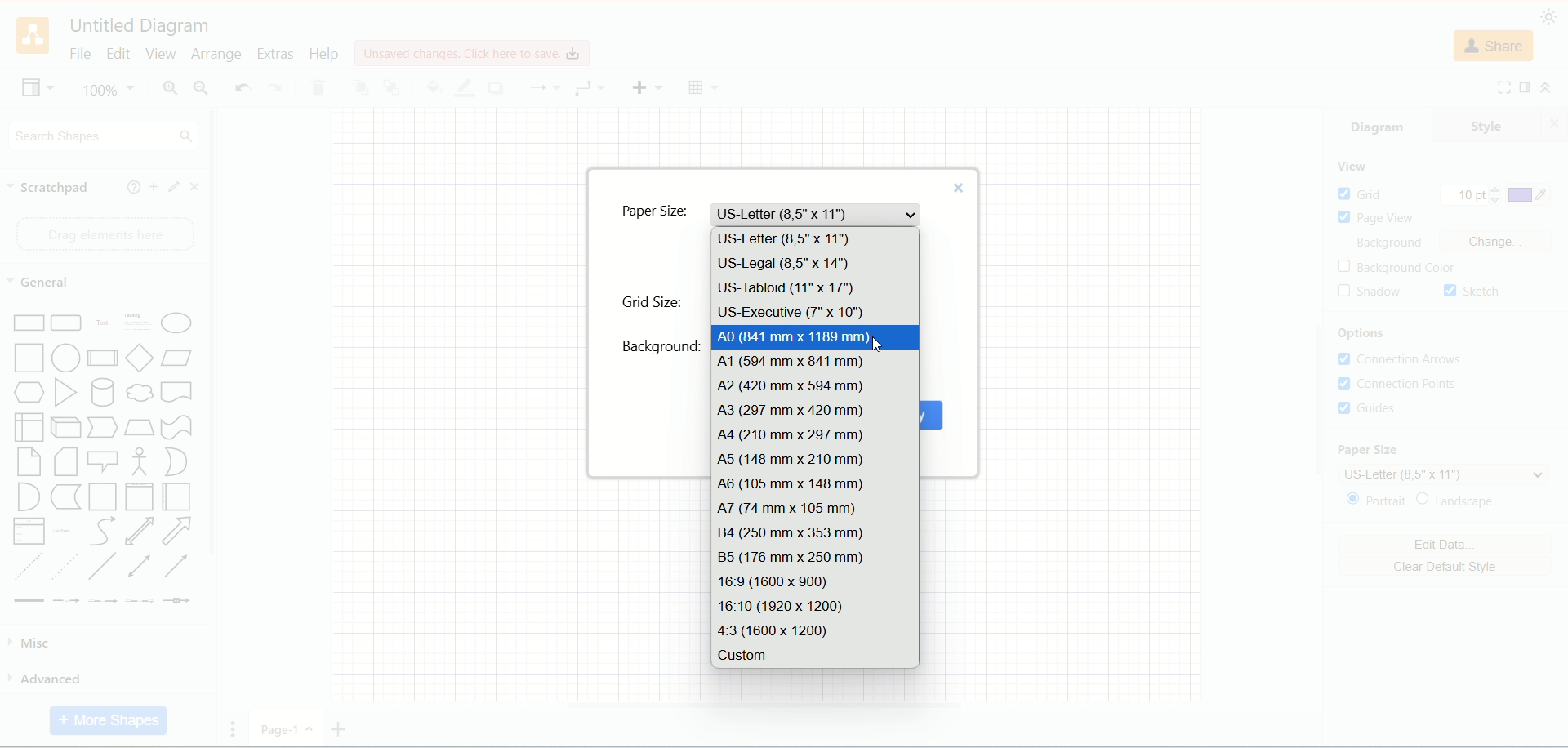 The height and width of the screenshot is (748, 1568). I want to click on Note, so click(29, 463).